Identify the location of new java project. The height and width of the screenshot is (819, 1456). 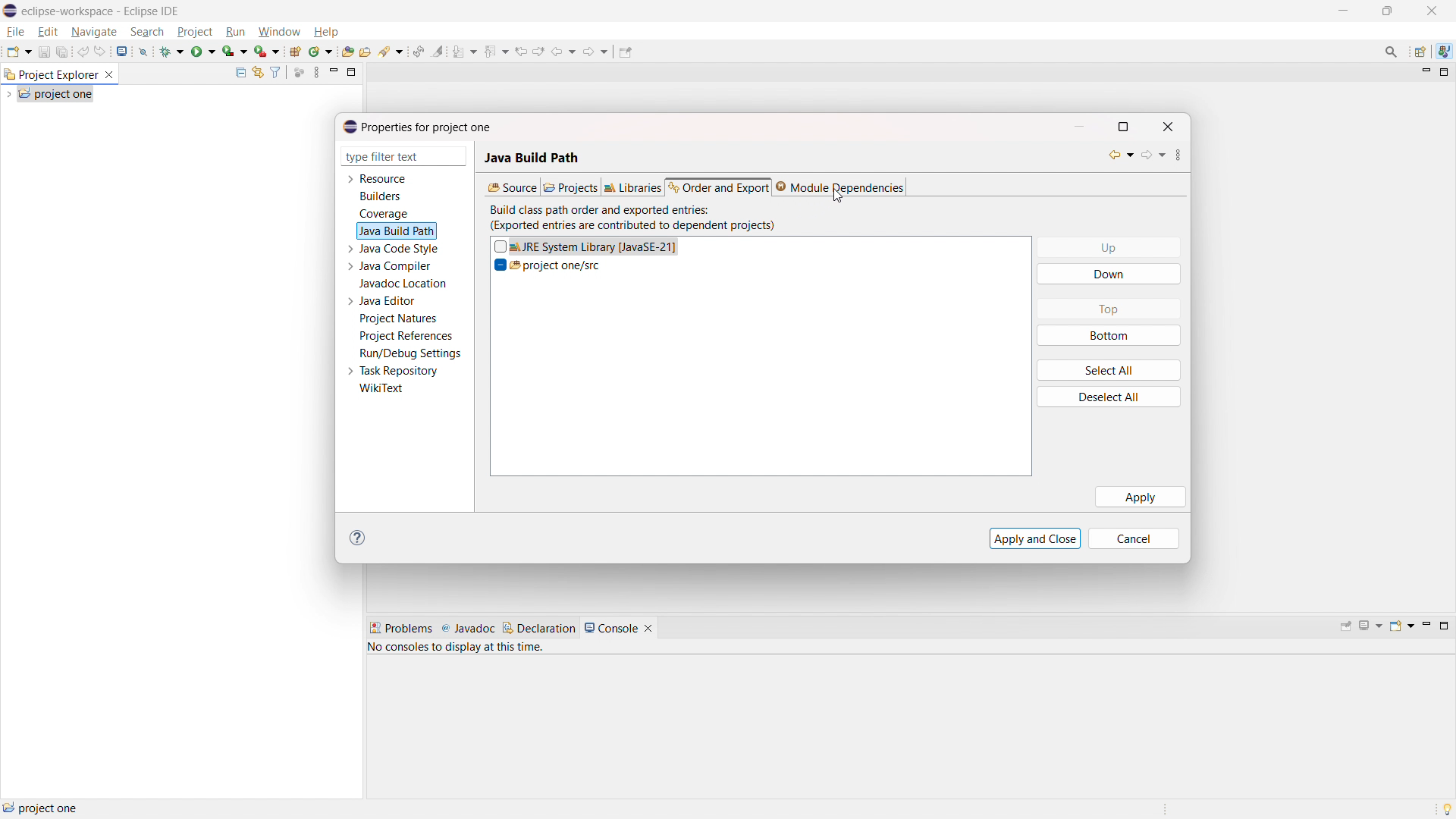
(294, 52).